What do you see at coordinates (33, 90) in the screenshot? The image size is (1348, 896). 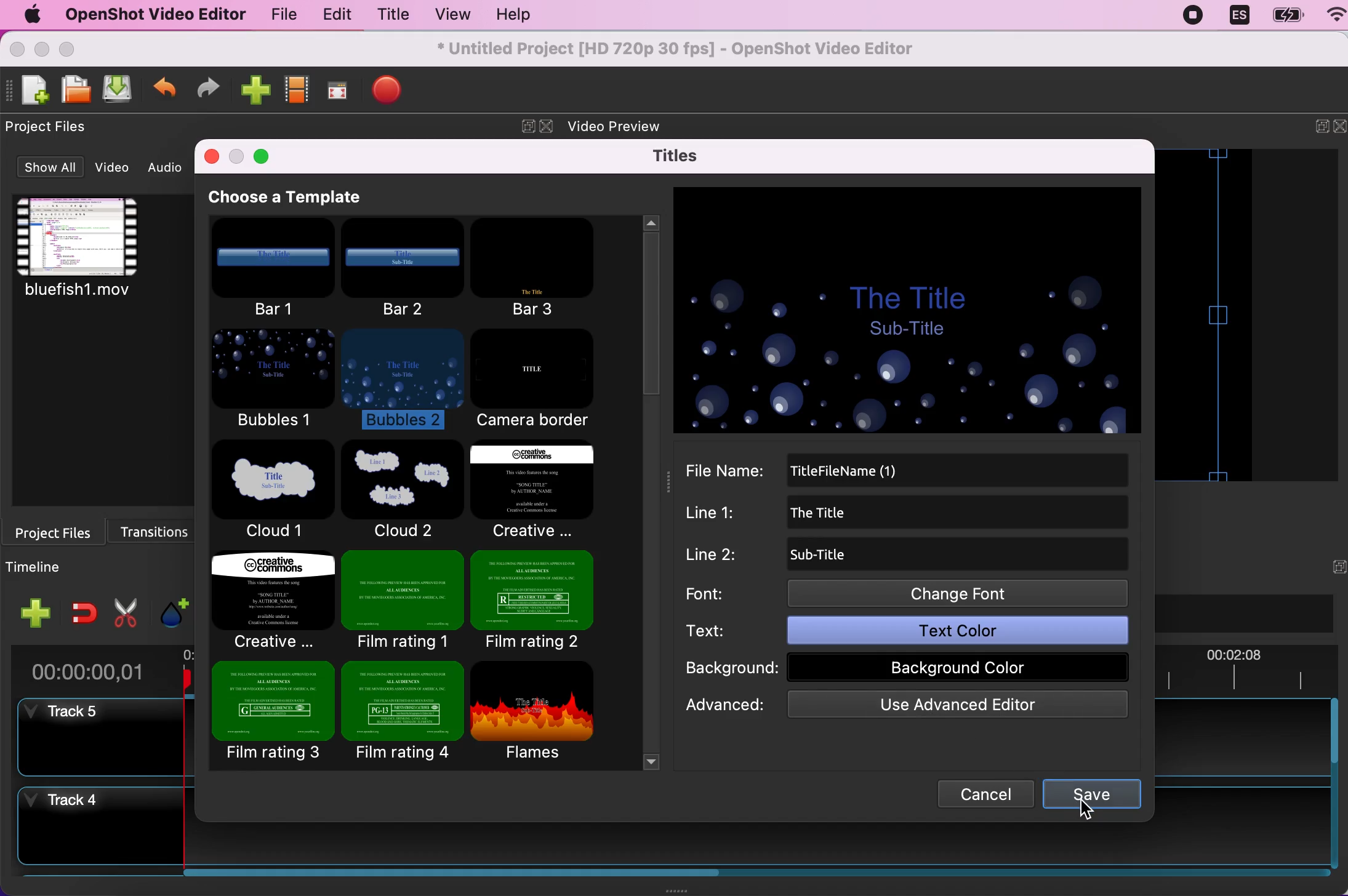 I see `new project` at bounding box center [33, 90].